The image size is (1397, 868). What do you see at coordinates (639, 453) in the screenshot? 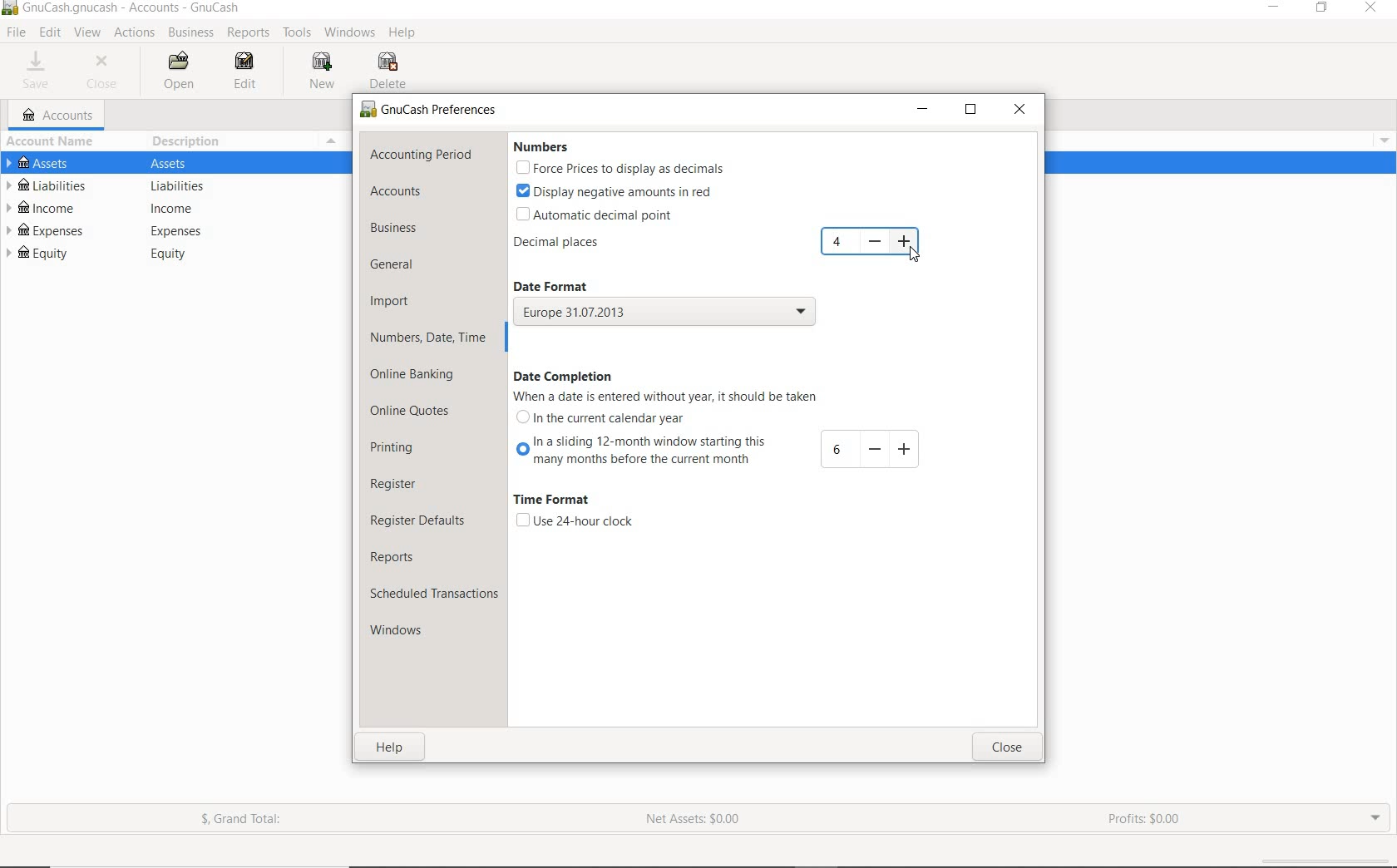
I see `in a sliding 12-month window starting this many months before the current month` at bounding box center [639, 453].